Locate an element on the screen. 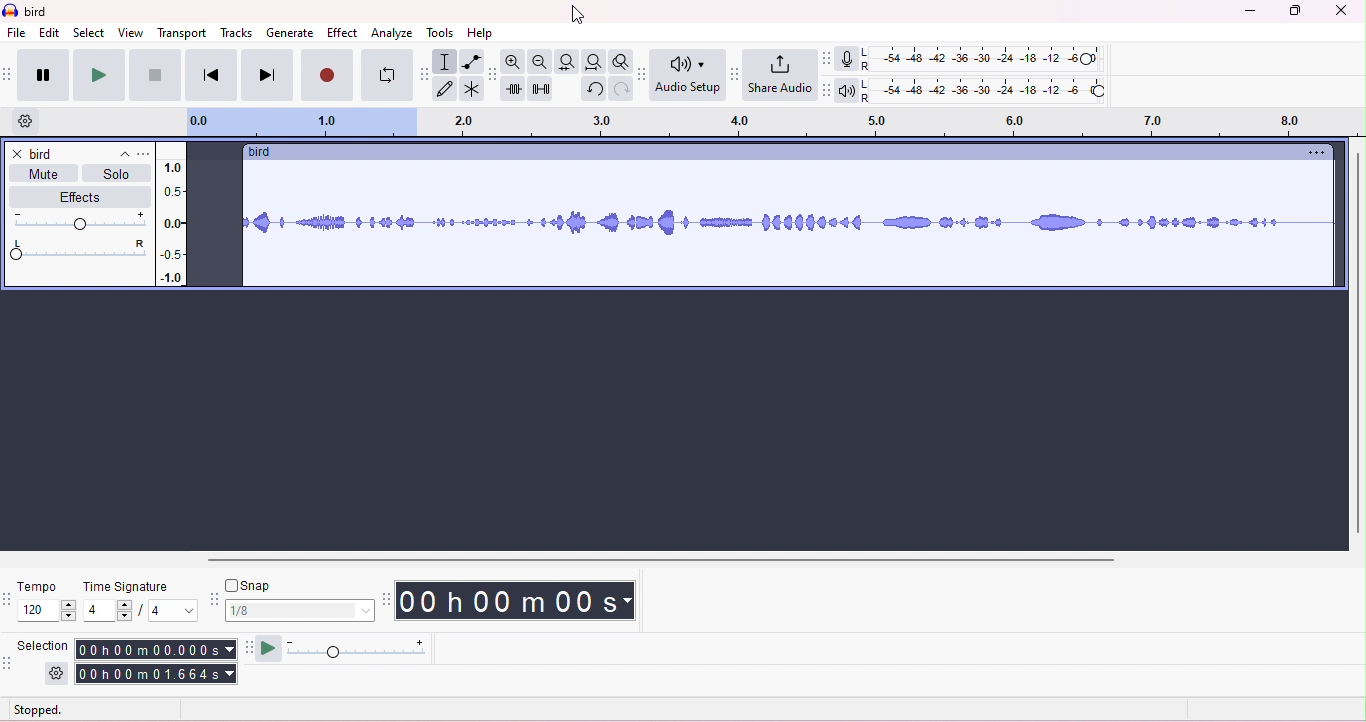  time tool is located at coordinates (388, 599).